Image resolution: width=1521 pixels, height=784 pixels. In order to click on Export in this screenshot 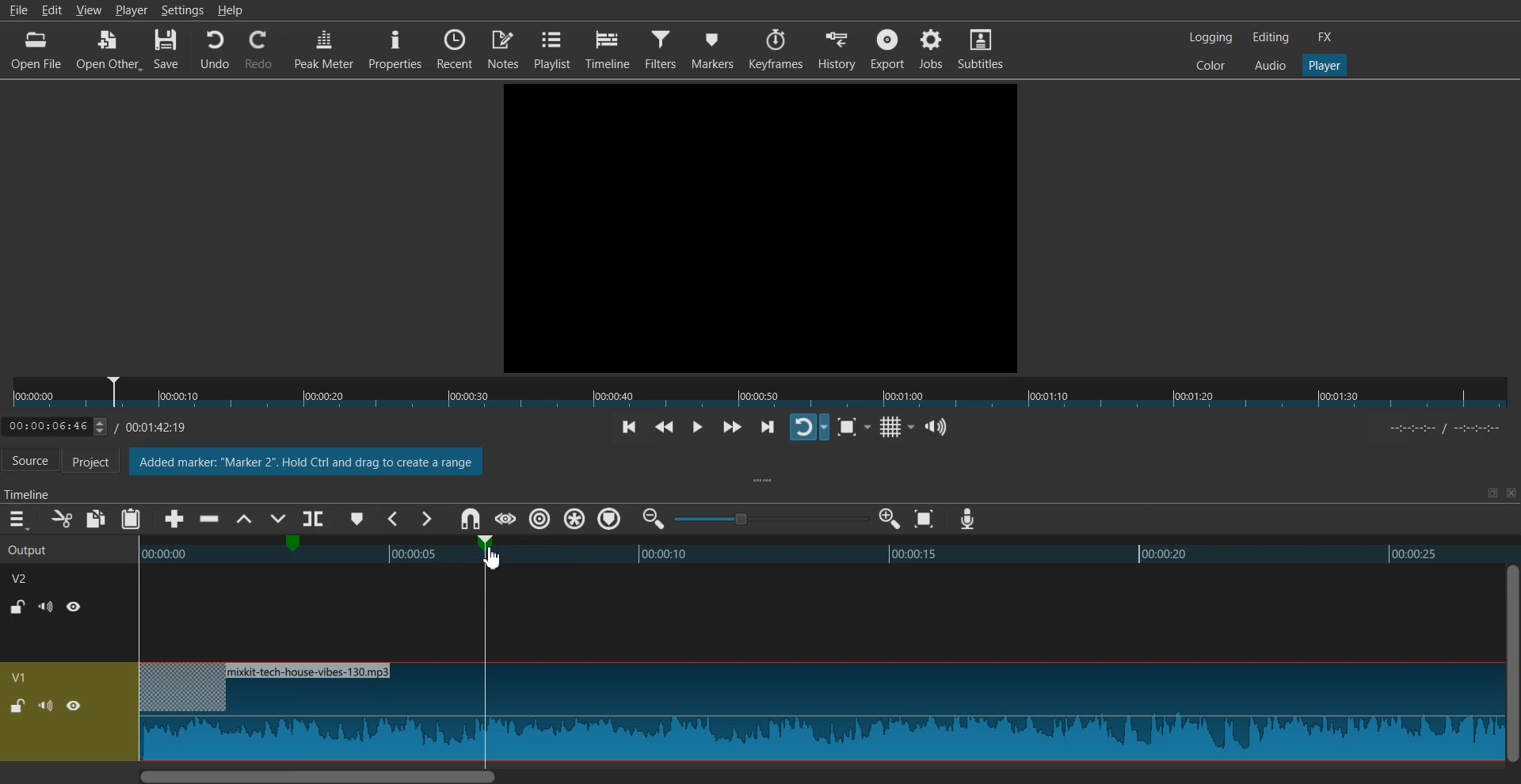, I will do `click(887, 48)`.